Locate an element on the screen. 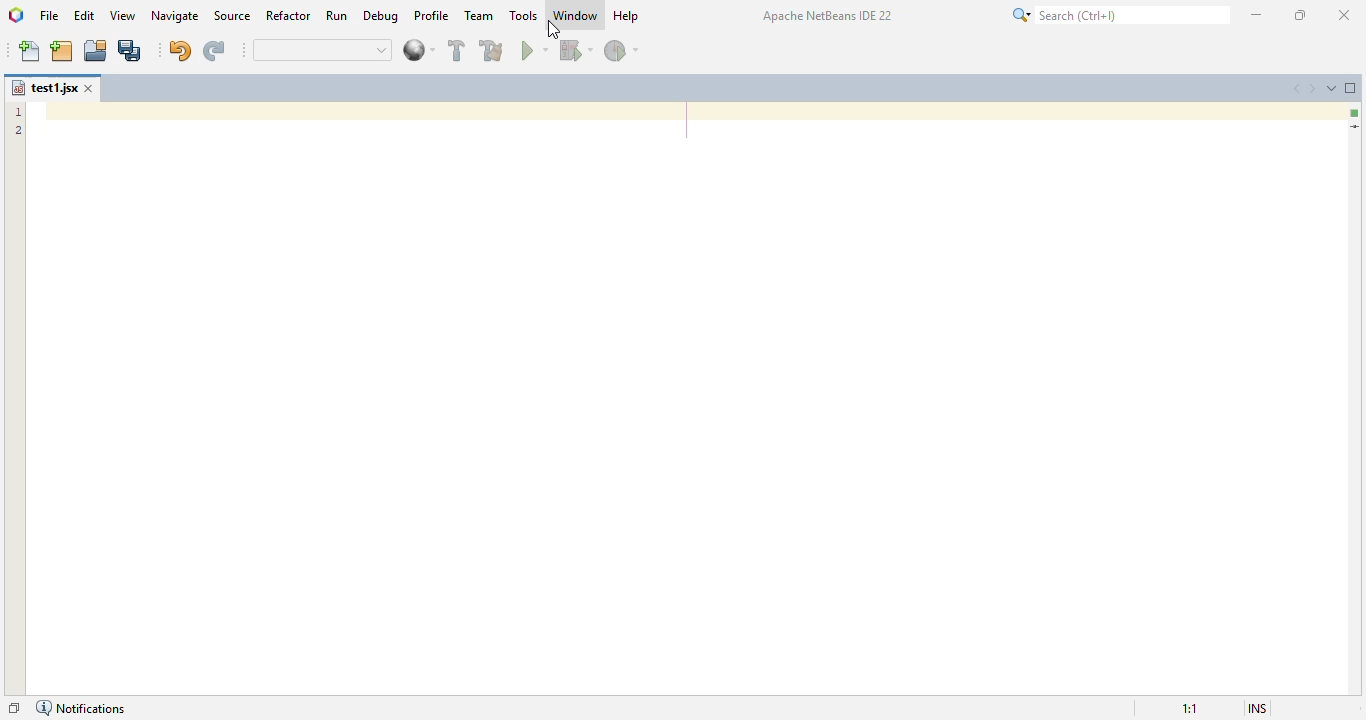  undo is located at coordinates (180, 50).